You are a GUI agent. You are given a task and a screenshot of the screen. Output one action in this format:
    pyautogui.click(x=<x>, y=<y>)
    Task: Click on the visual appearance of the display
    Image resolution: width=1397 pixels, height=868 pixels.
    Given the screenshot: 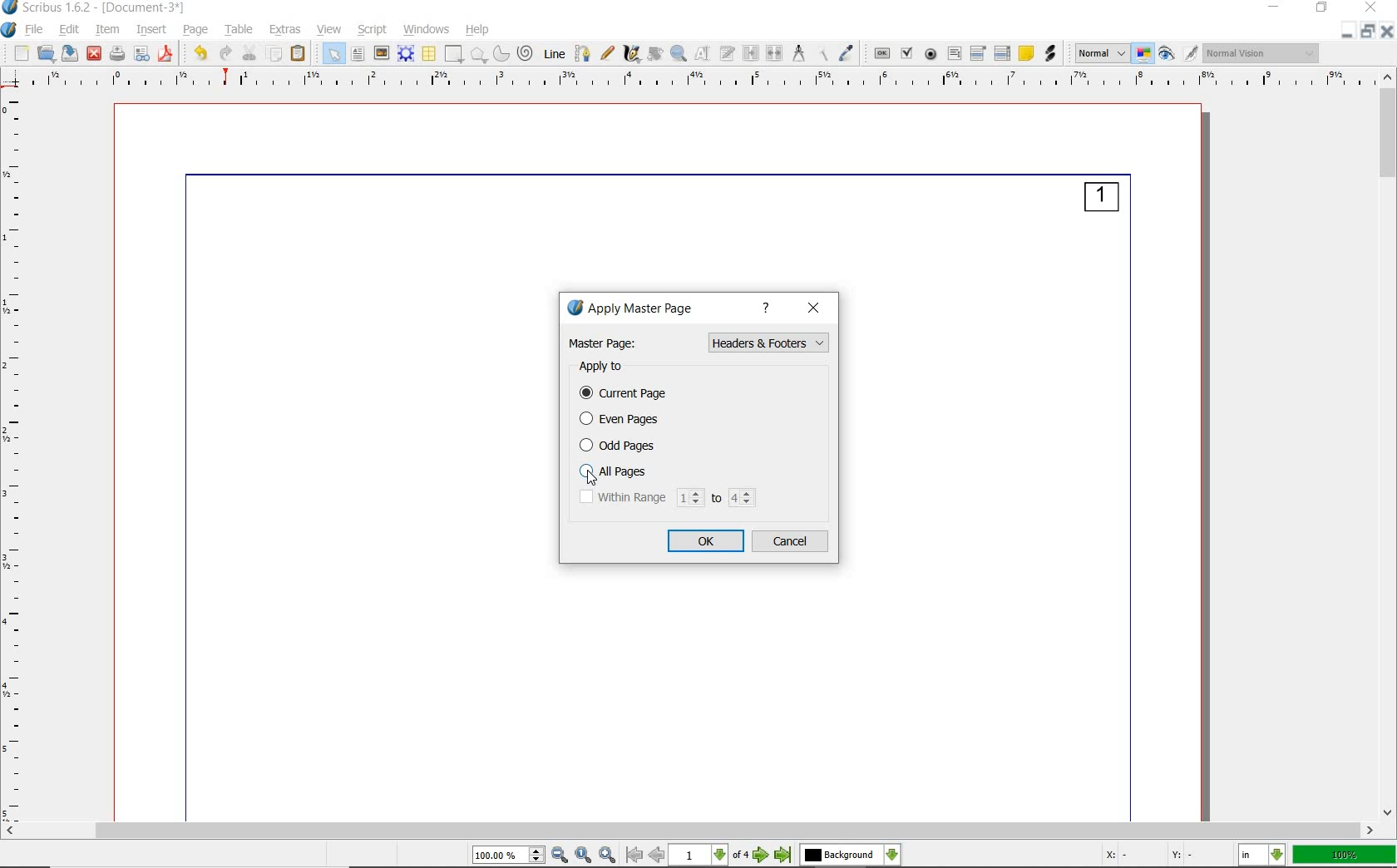 What is the action you would take?
    pyautogui.click(x=1263, y=52)
    